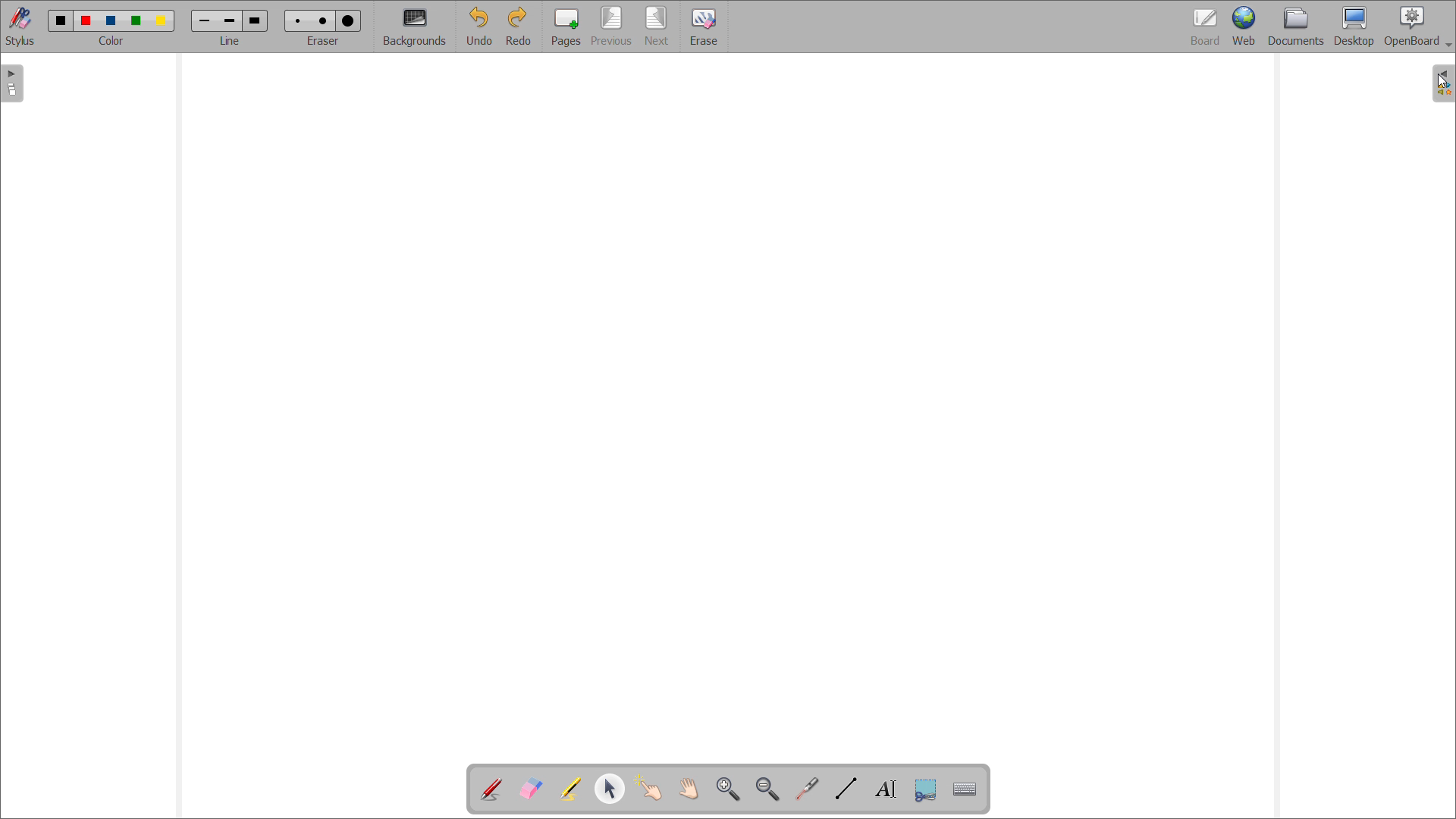 Image resolution: width=1456 pixels, height=819 pixels. I want to click on zoom out, so click(767, 789).